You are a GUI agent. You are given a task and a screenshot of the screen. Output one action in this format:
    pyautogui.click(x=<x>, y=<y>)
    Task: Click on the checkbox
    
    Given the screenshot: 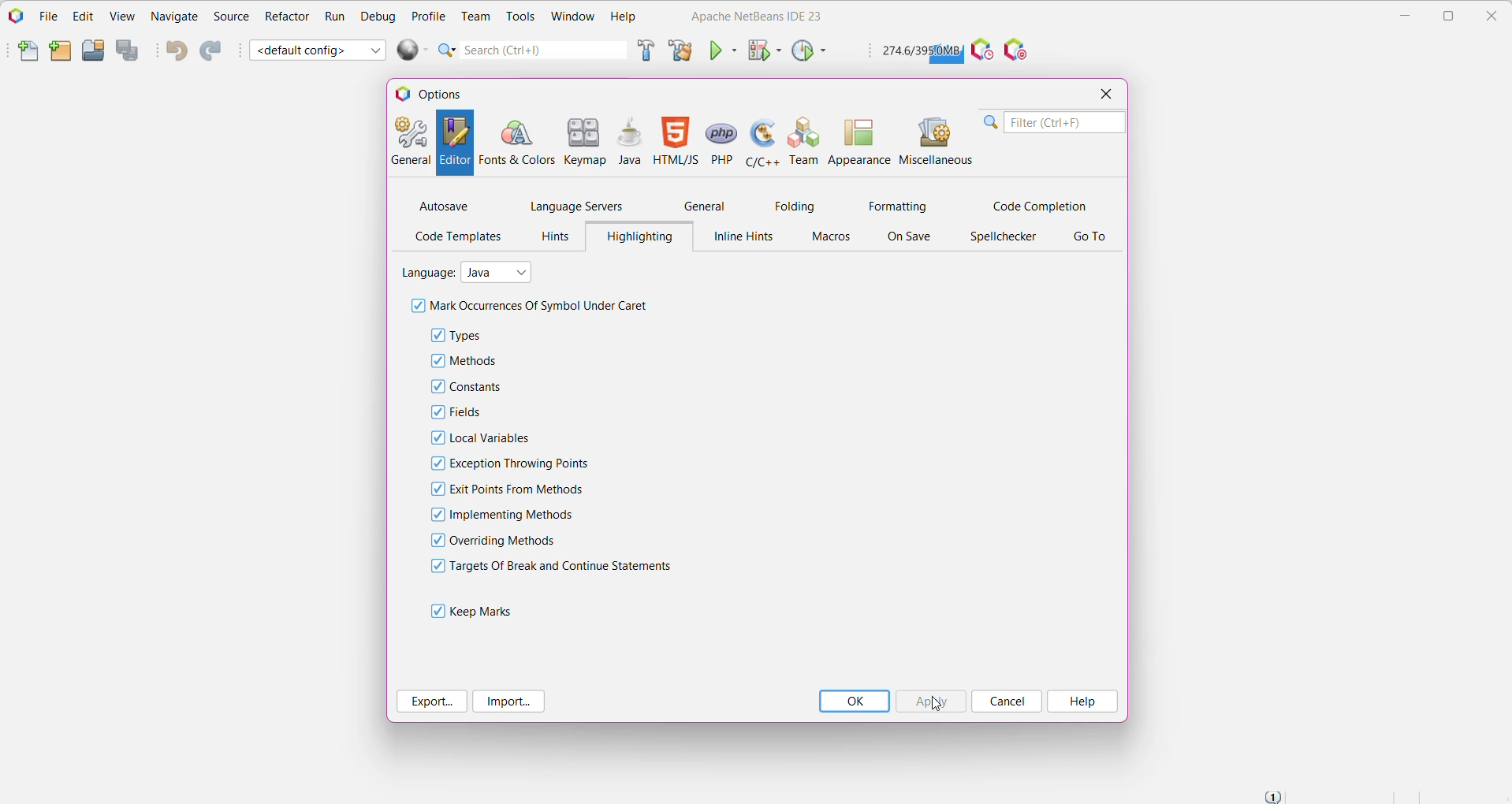 What is the action you would take?
    pyautogui.click(x=416, y=306)
    